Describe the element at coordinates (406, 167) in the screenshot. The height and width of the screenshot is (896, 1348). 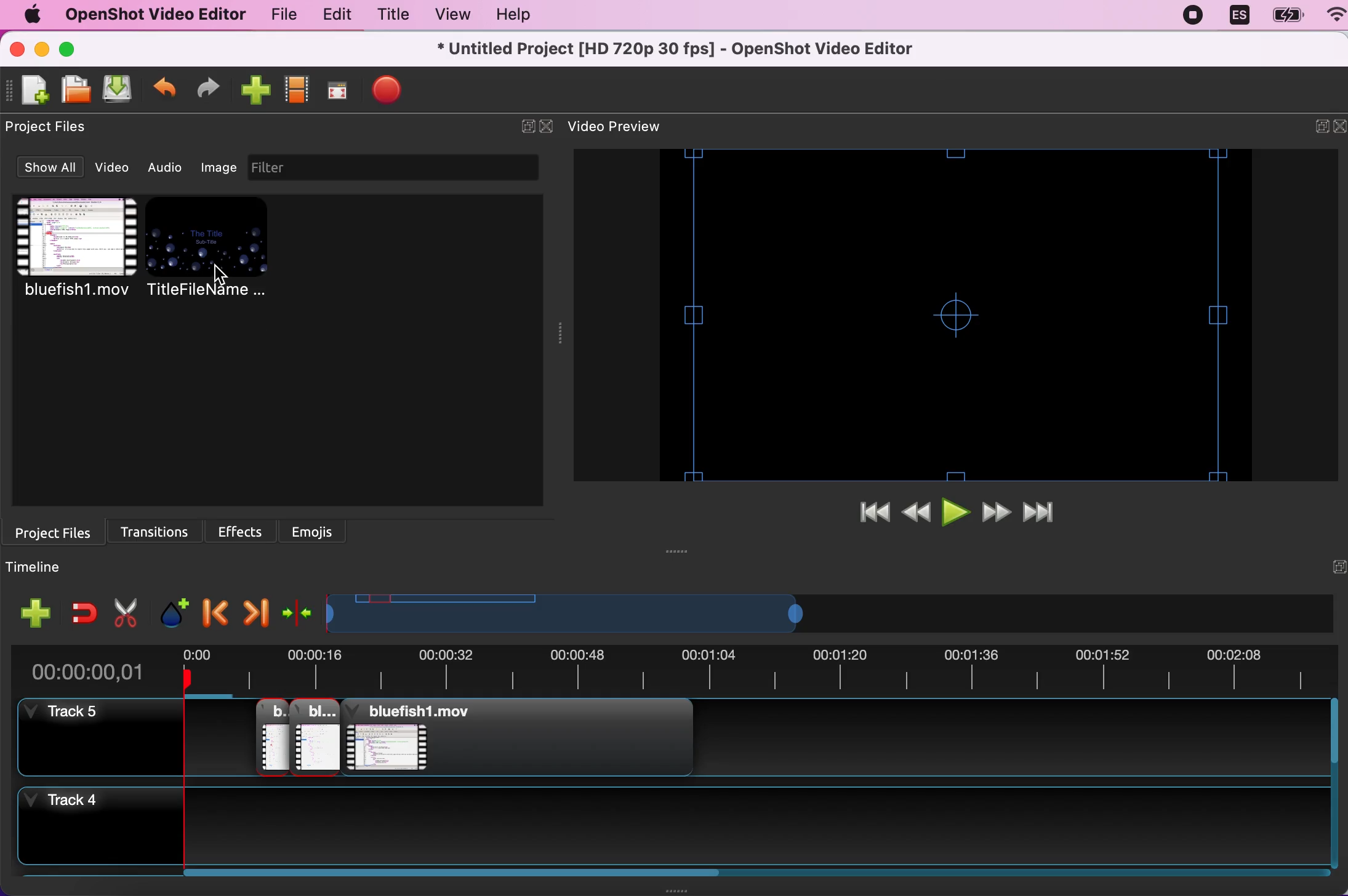
I see `filter` at that location.